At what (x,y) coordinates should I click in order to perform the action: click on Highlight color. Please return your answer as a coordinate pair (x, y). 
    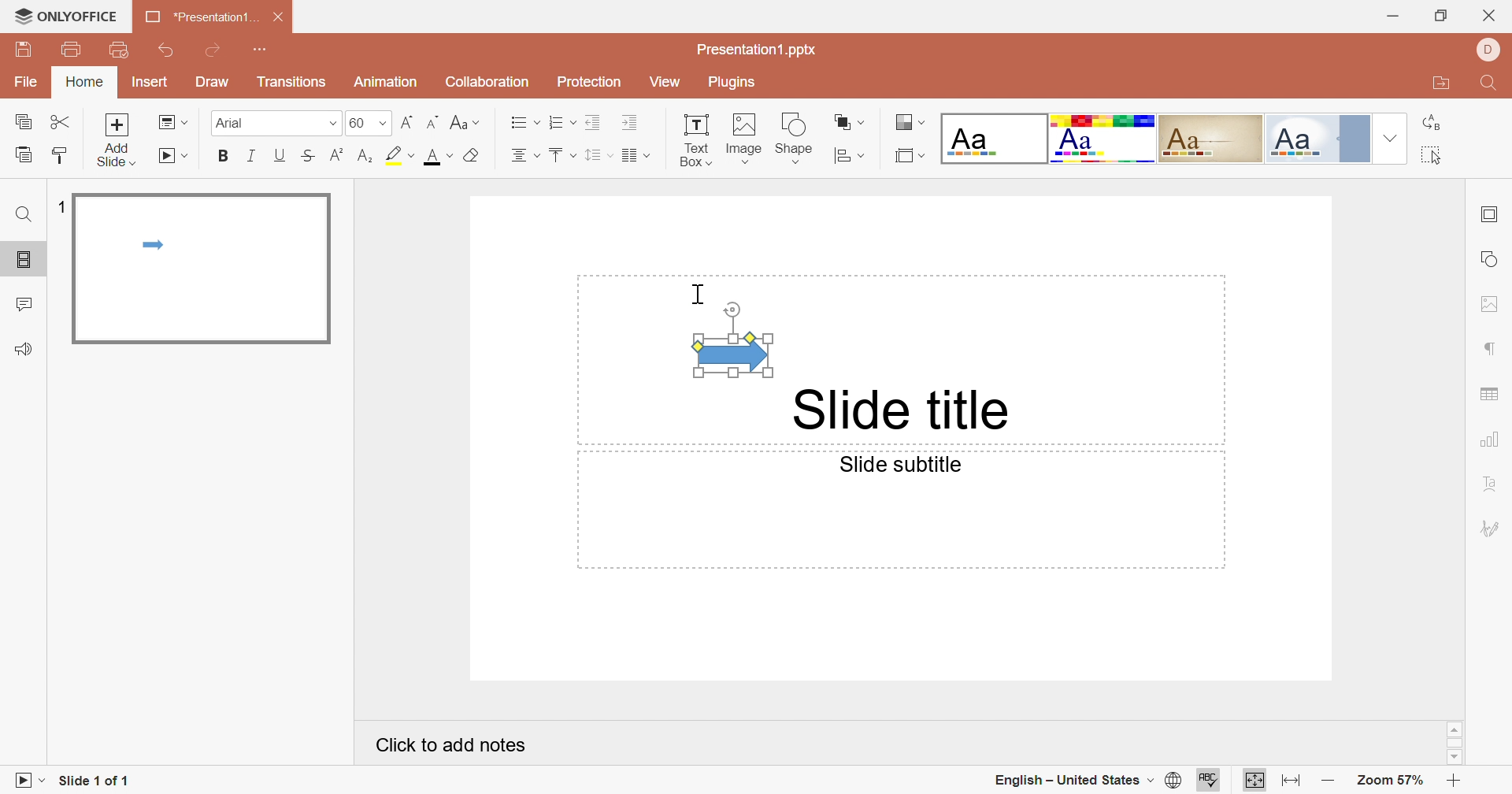
    Looking at the image, I should click on (402, 156).